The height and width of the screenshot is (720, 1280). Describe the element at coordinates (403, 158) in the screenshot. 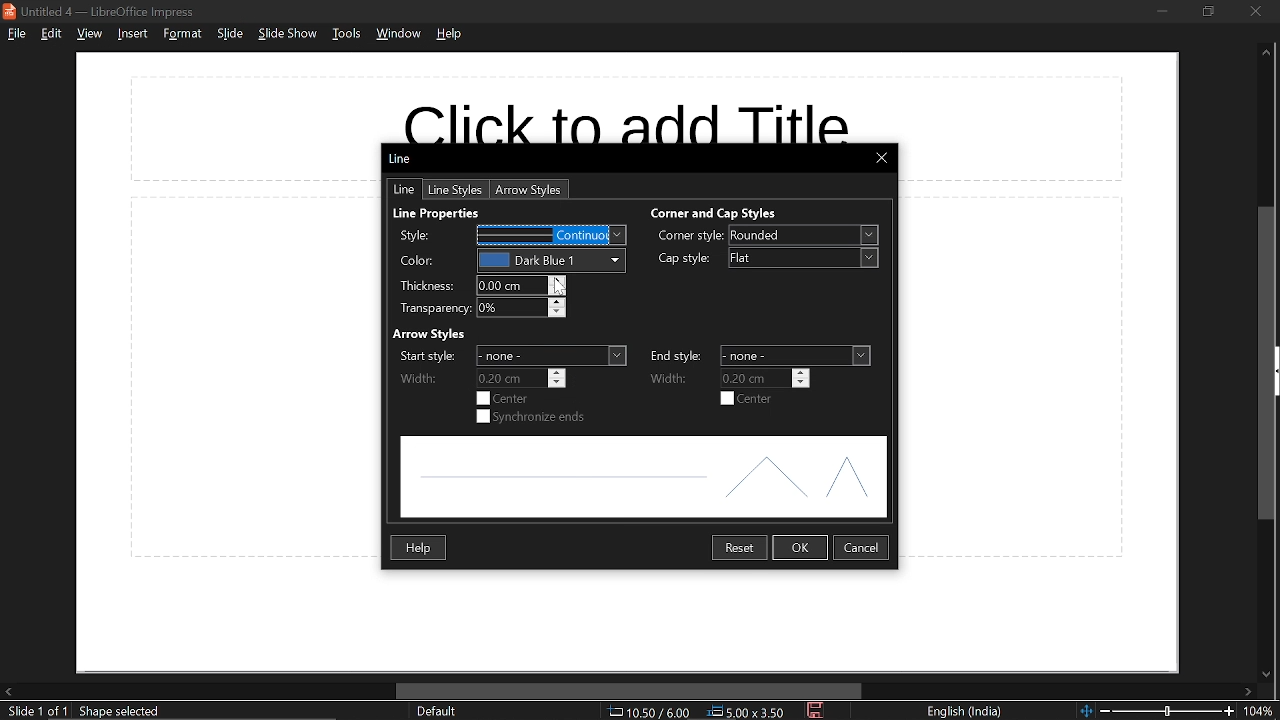

I see `Current window` at that location.